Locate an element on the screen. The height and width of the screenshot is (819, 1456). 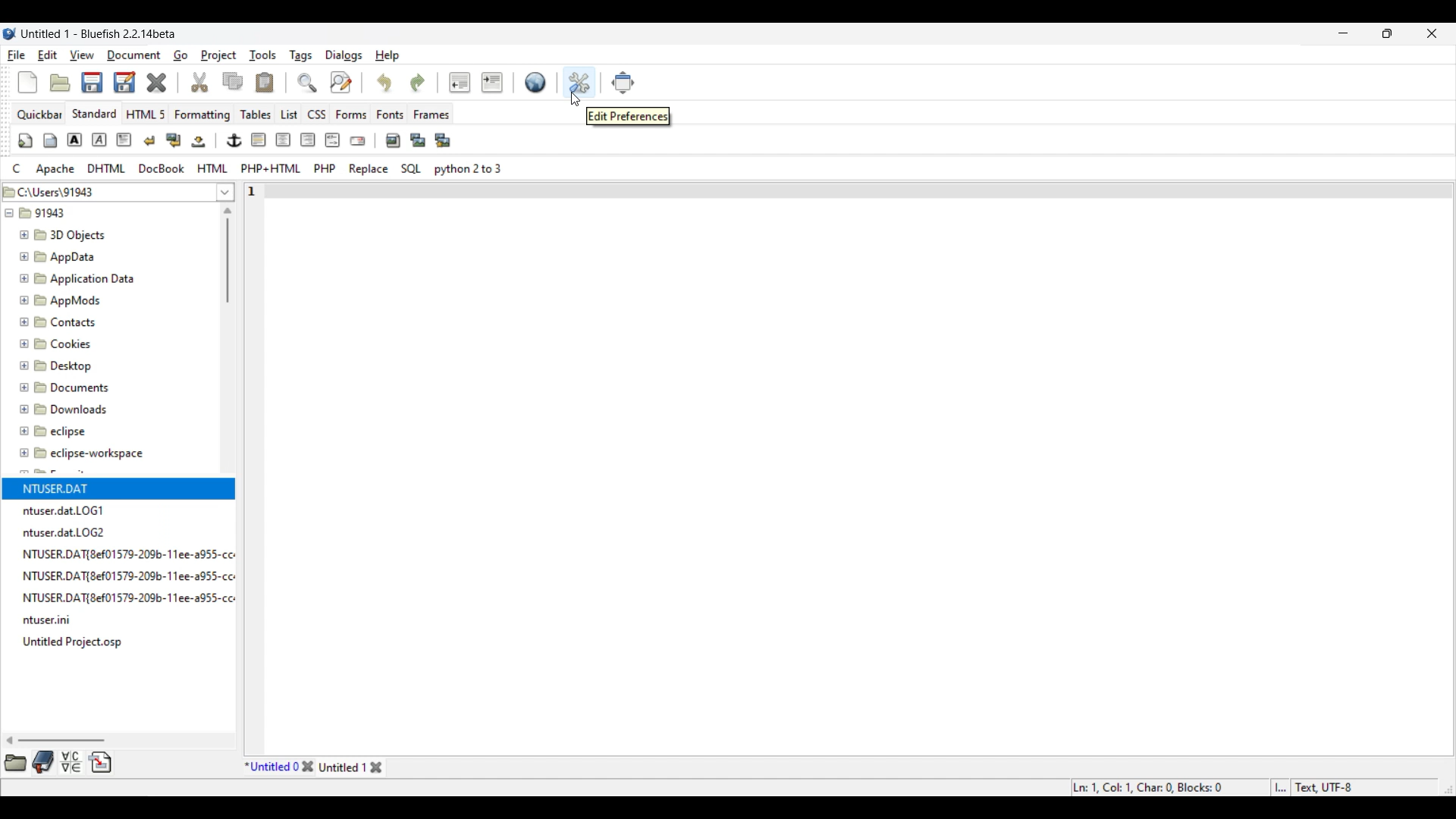
eclipse-workspace is located at coordinates (83, 457).